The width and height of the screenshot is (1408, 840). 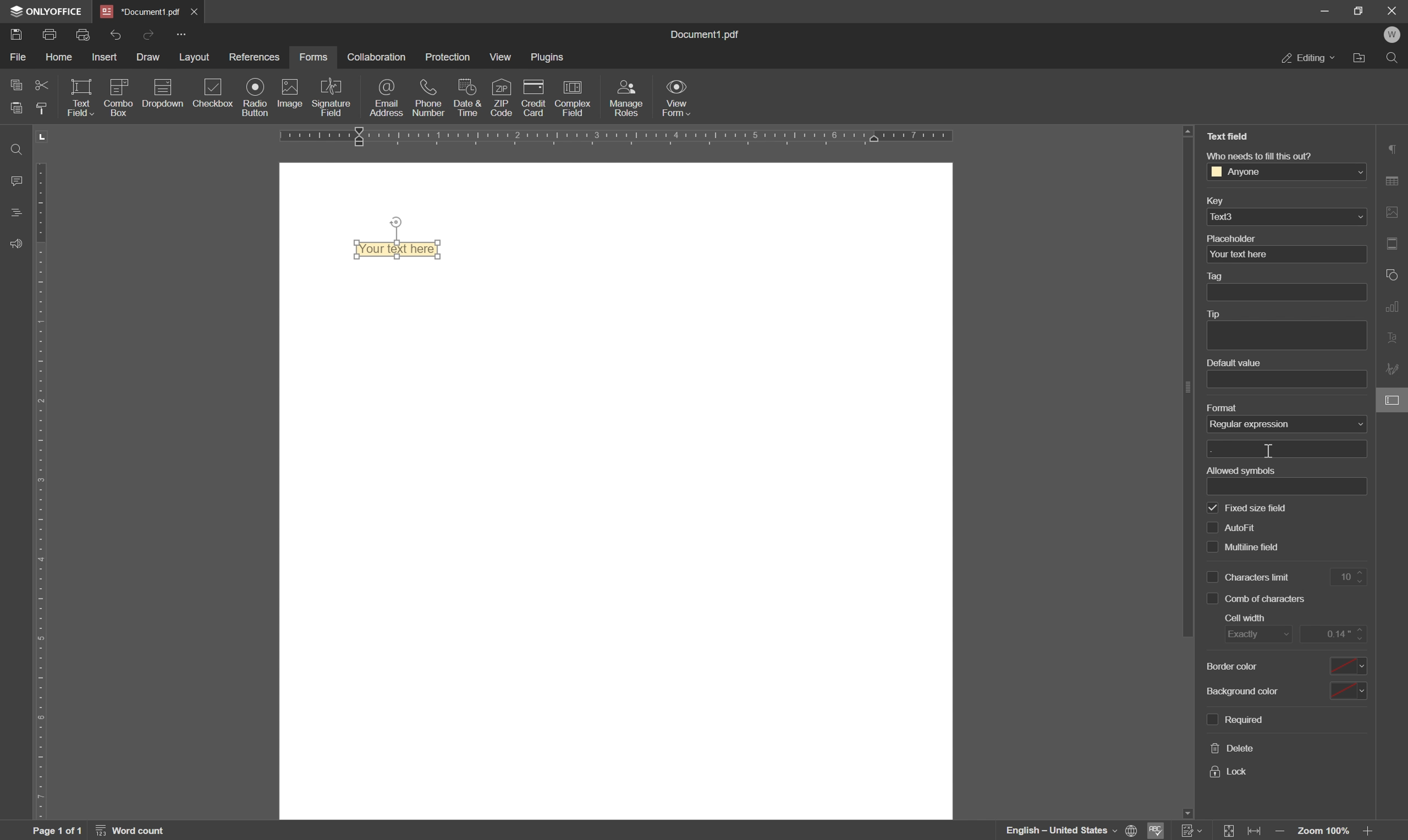 I want to click on quick print, so click(x=88, y=35).